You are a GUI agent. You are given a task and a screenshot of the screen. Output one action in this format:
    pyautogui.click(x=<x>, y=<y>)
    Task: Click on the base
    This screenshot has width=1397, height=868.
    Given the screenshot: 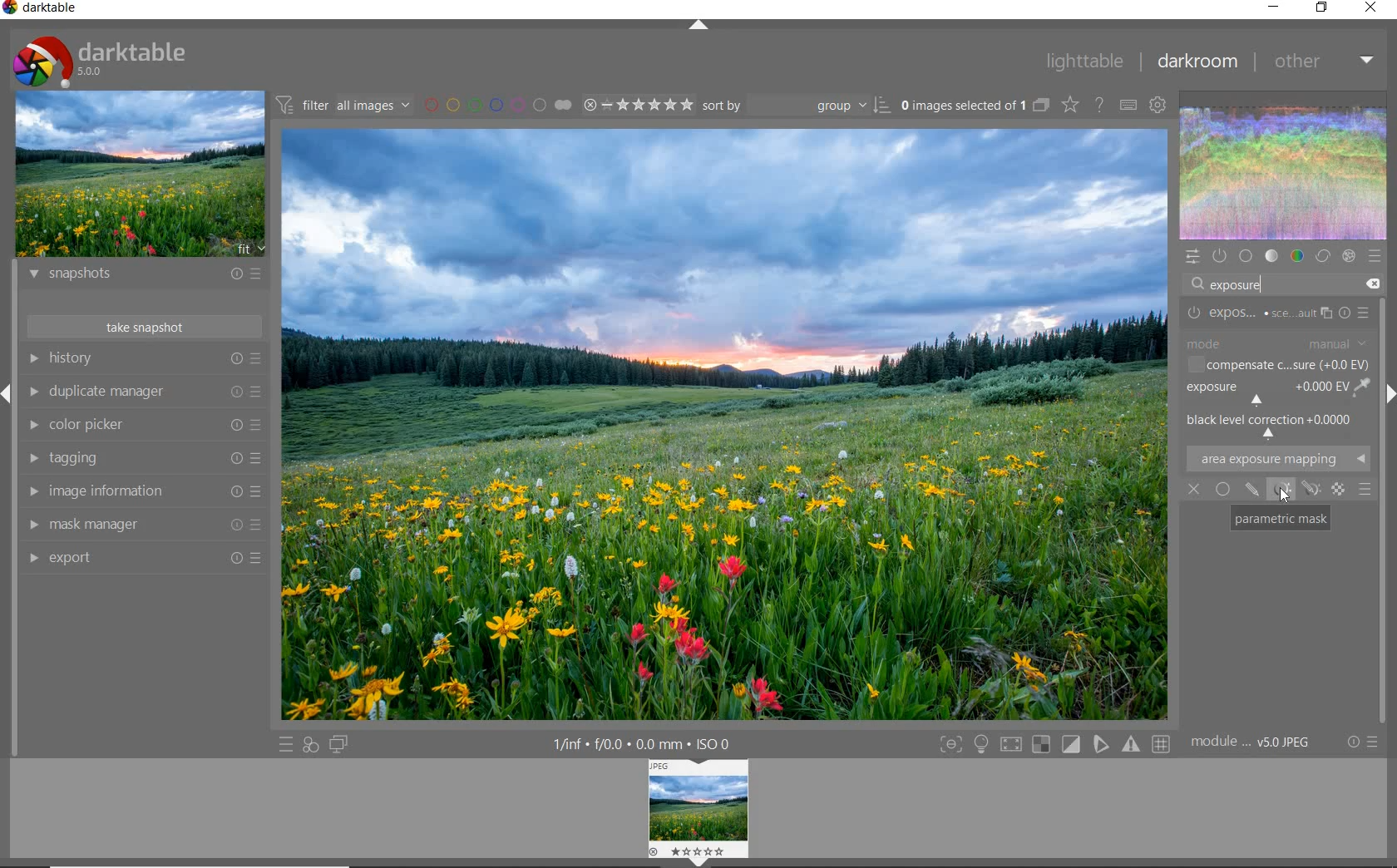 What is the action you would take?
    pyautogui.click(x=1247, y=256)
    